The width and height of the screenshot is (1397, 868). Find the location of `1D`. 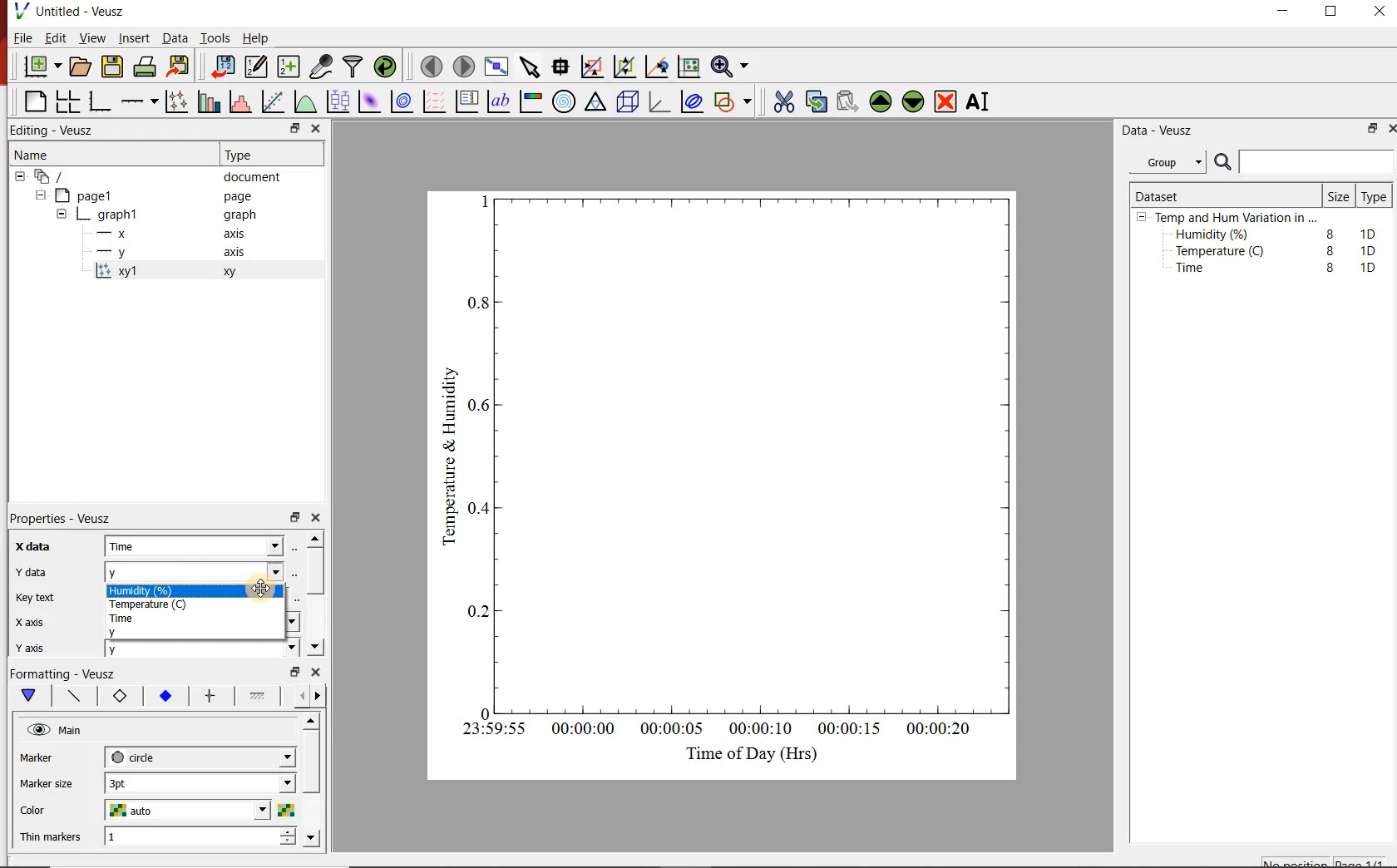

1D is located at coordinates (1368, 267).